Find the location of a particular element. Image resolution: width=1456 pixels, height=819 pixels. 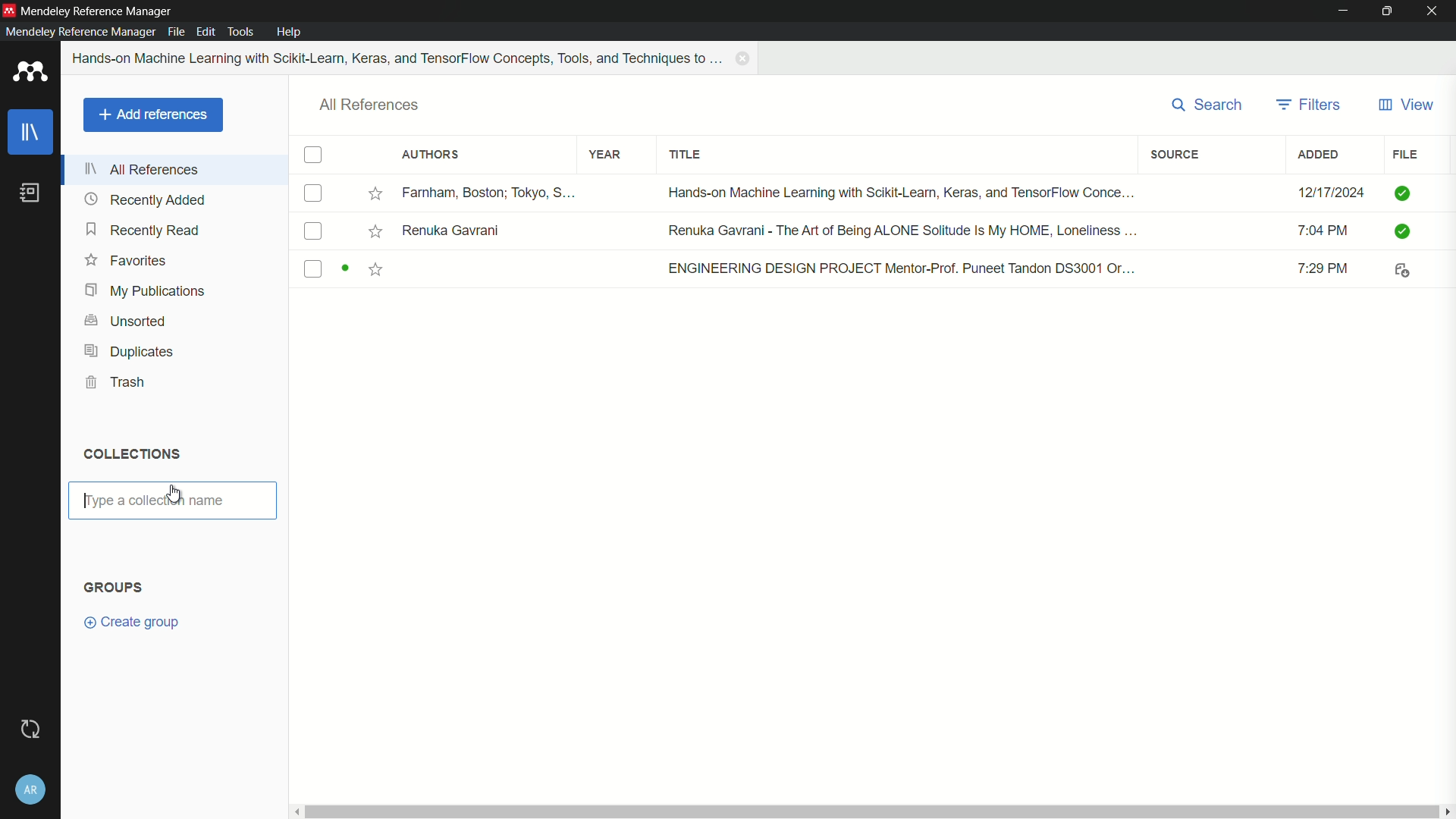

app name is located at coordinates (98, 11).